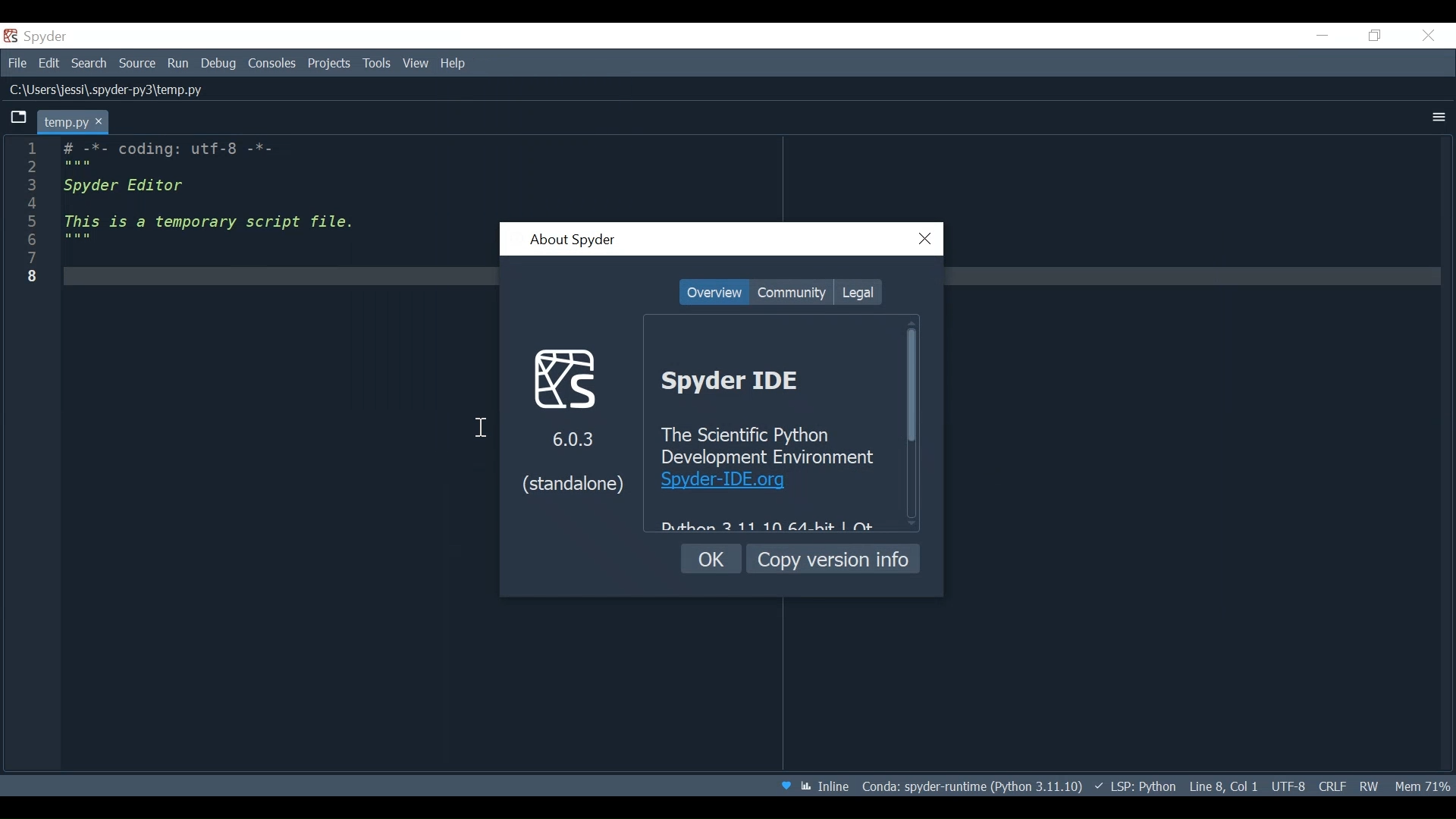 Image resolution: width=1456 pixels, height=819 pixels. I want to click on File Path, so click(113, 90).